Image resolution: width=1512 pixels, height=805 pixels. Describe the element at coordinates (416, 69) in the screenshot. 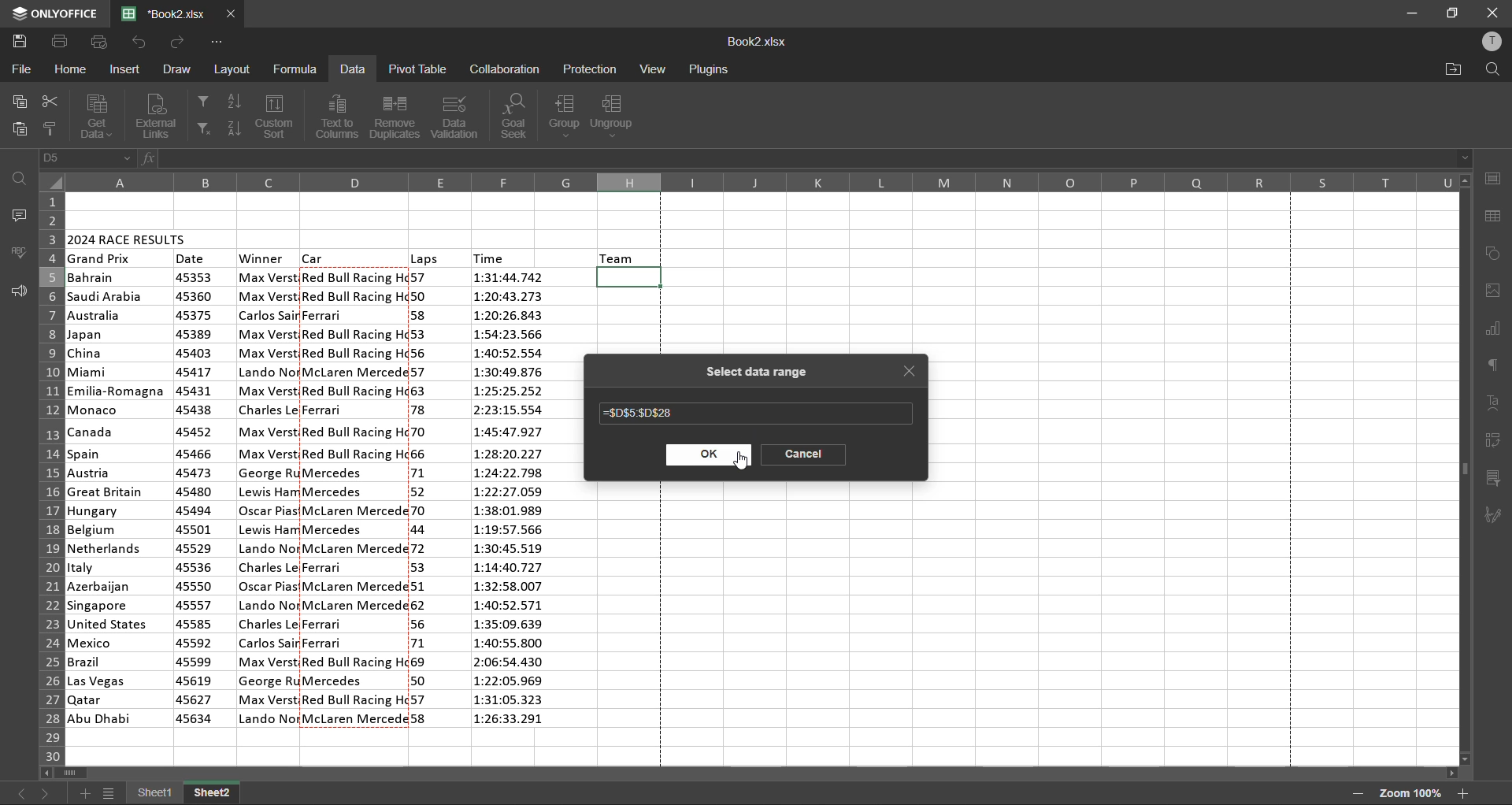

I see `pivot table` at that location.